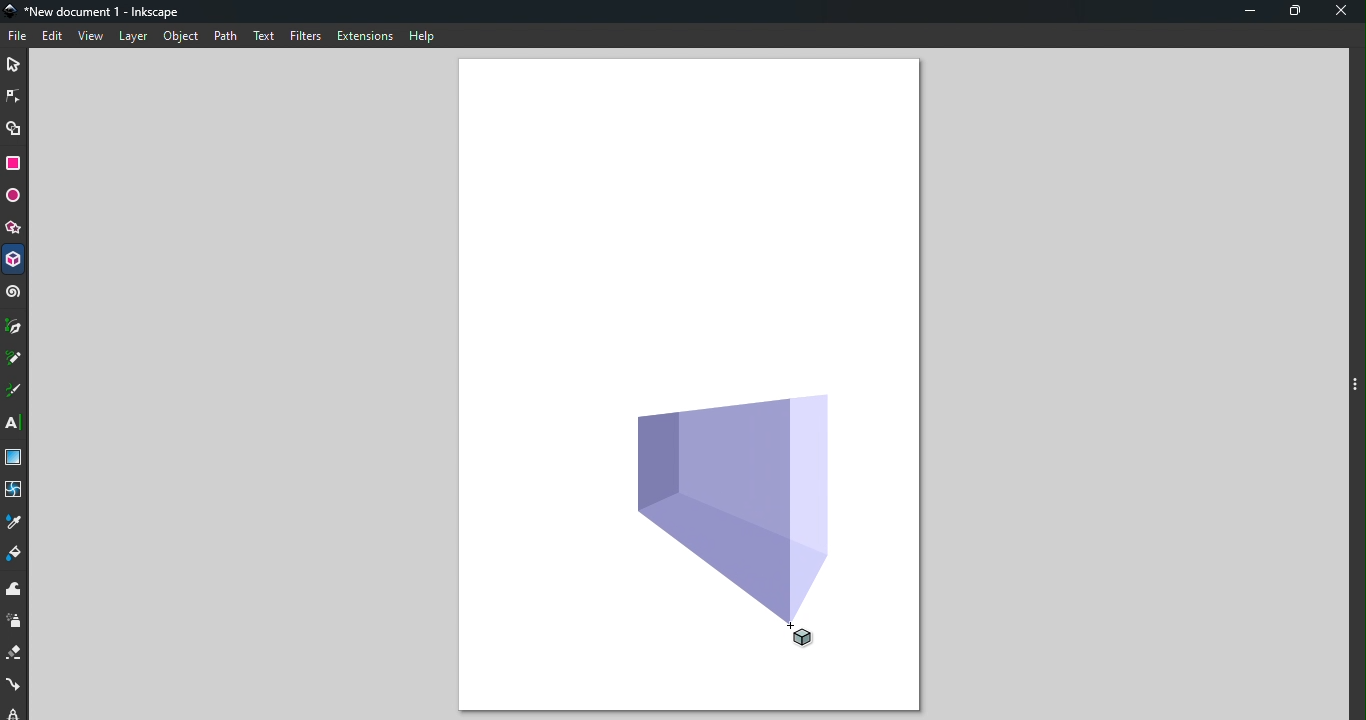 The width and height of the screenshot is (1366, 720). I want to click on Mesh tool, so click(14, 488).